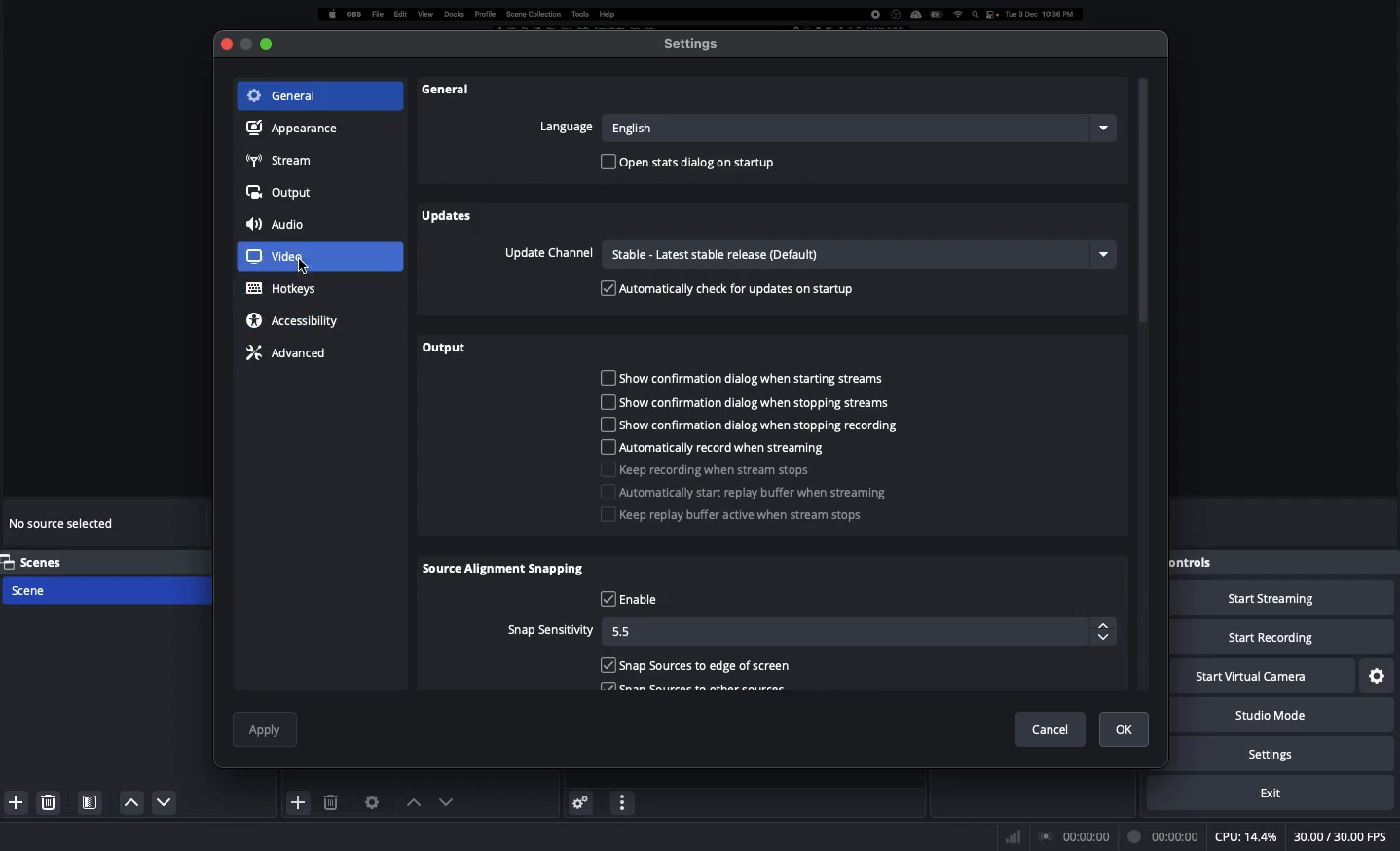  What do you see at coordinates (1283, 600) in the screenshot?
I see `Start streaming` at bounding box center [1283, 600].